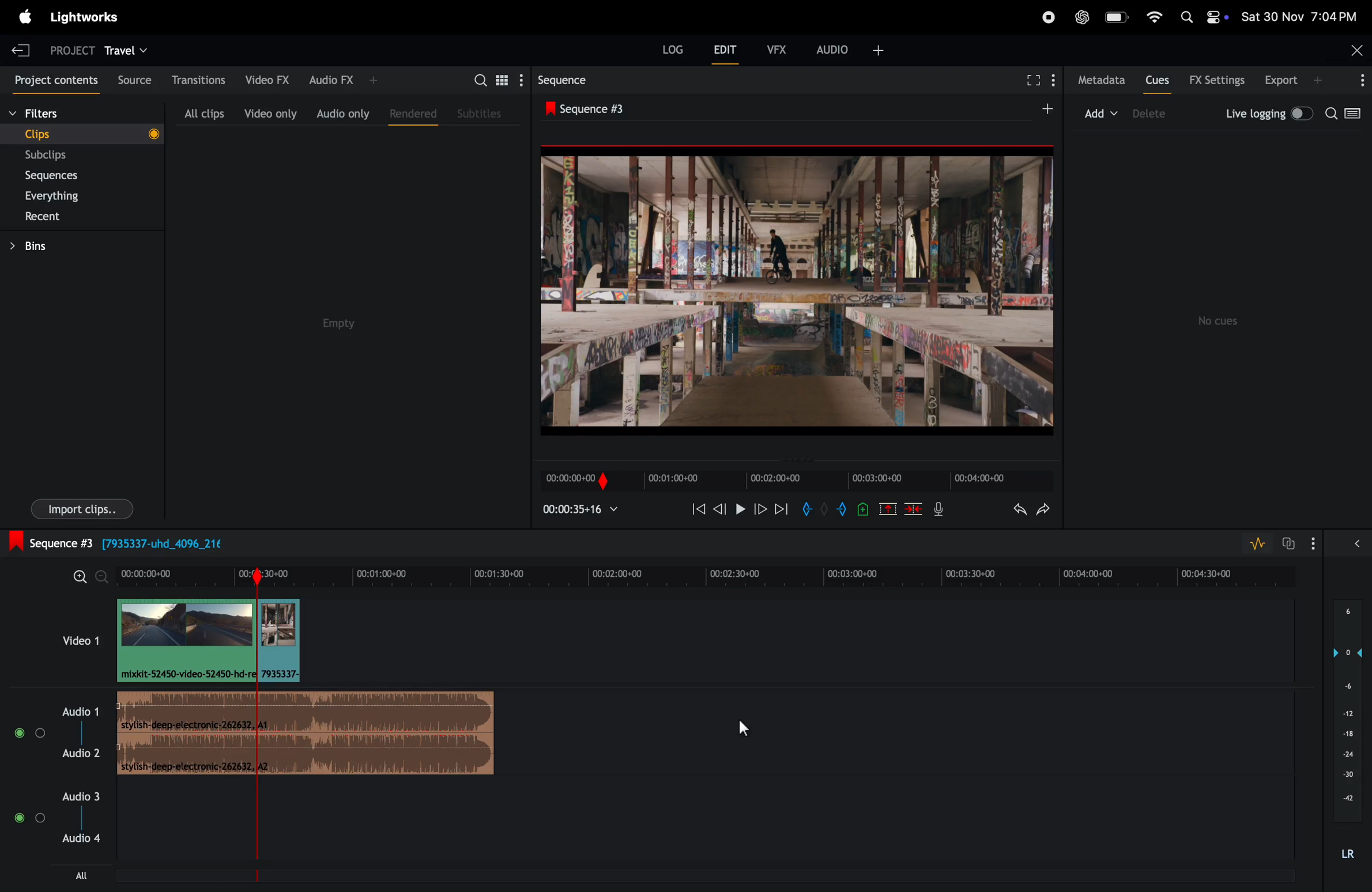 The width and height of the screenshot is (1372, 892). Describe the element at coordinates (710, 575) in the screenshot. I see `time frame` at that location.